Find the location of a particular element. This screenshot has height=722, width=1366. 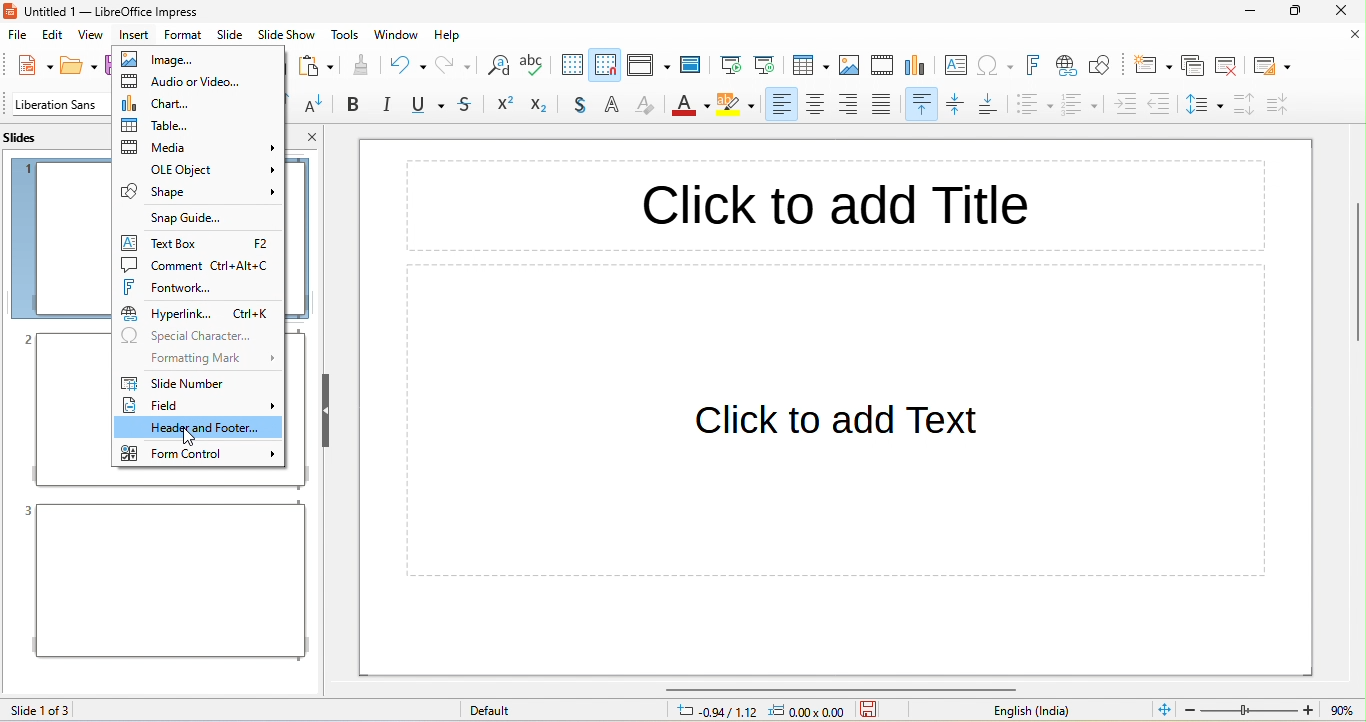

edit is located at coordinates (56, 37).